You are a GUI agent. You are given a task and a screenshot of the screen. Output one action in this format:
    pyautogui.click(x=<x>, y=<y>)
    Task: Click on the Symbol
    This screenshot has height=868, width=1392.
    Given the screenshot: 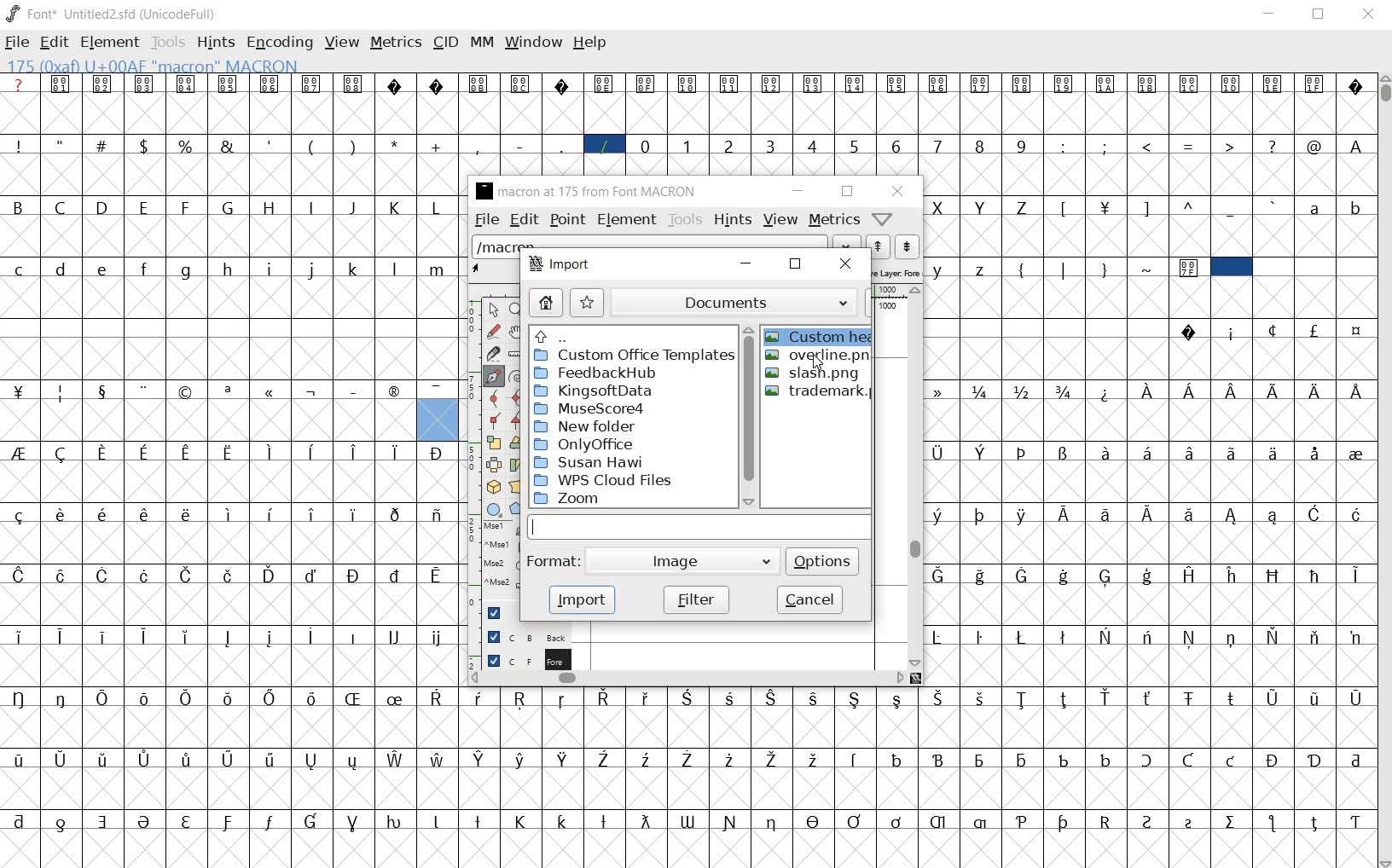 What is the action you would take?
    pyautogui.click(x=983, y=698)
    